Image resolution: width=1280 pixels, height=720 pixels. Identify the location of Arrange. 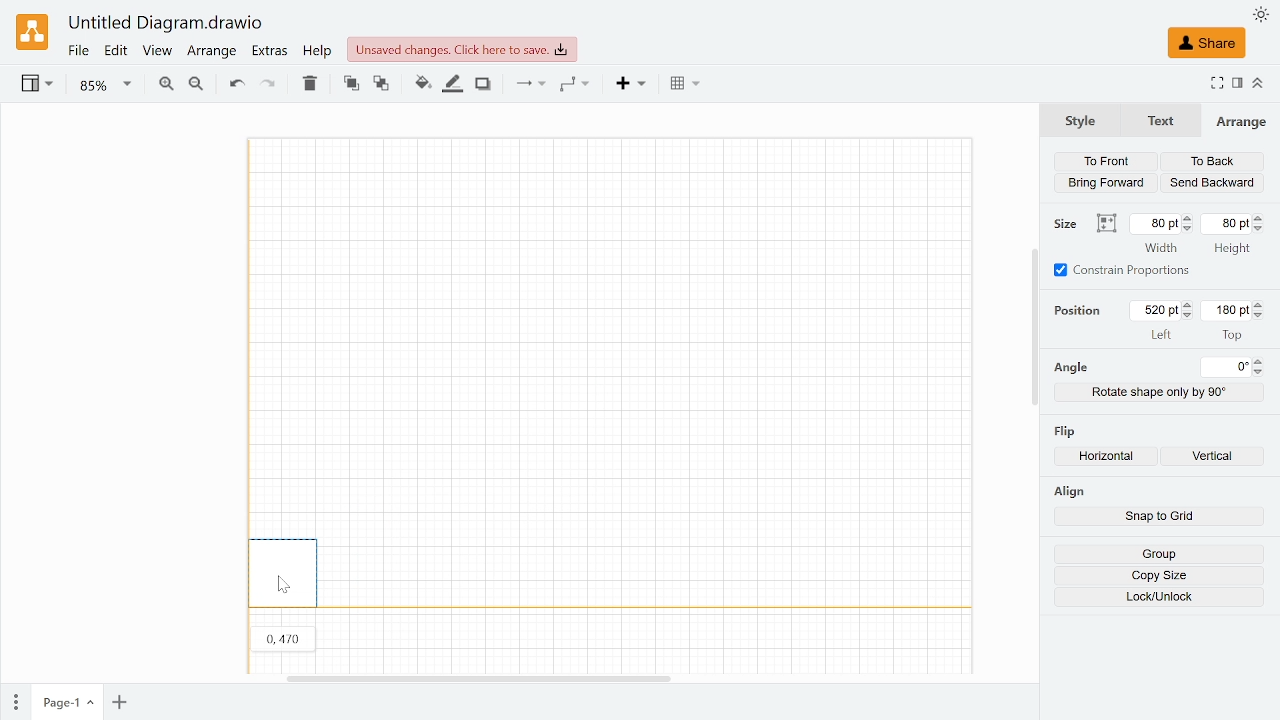
(211, 52).